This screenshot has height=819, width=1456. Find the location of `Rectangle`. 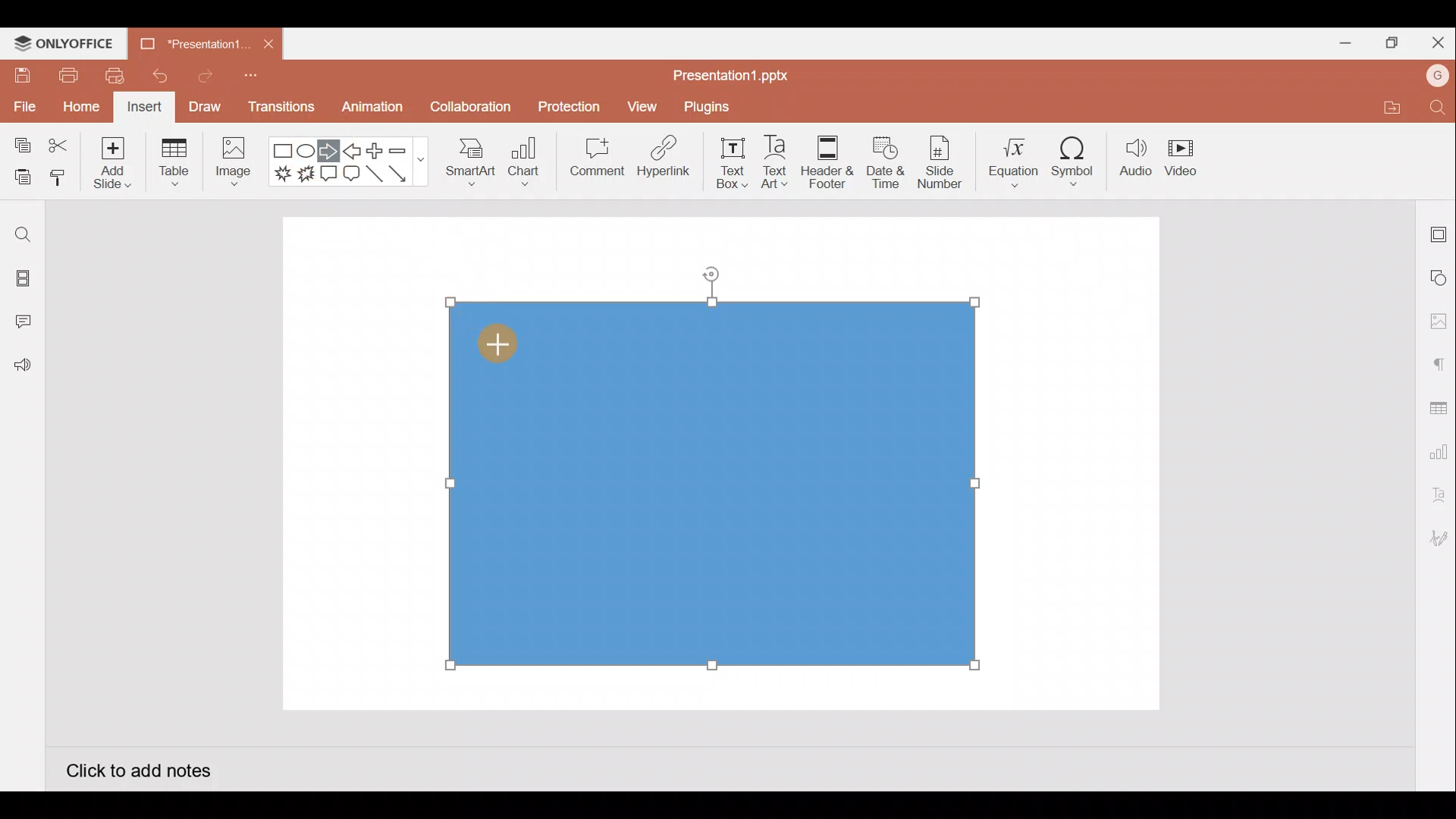

Rectangle is located at coordinates (284, 152).